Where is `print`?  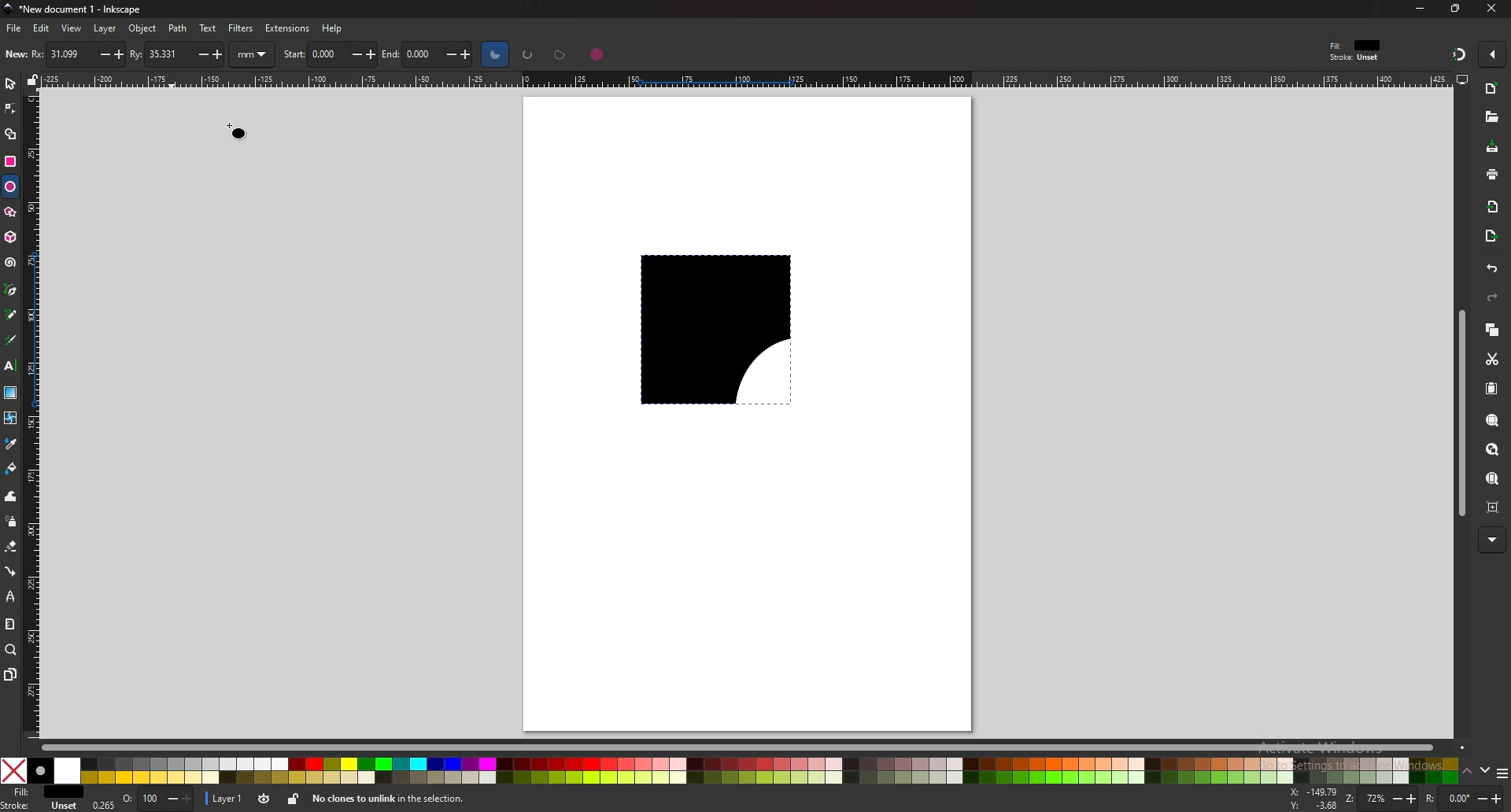 print is located at coordinates (1492, 174).